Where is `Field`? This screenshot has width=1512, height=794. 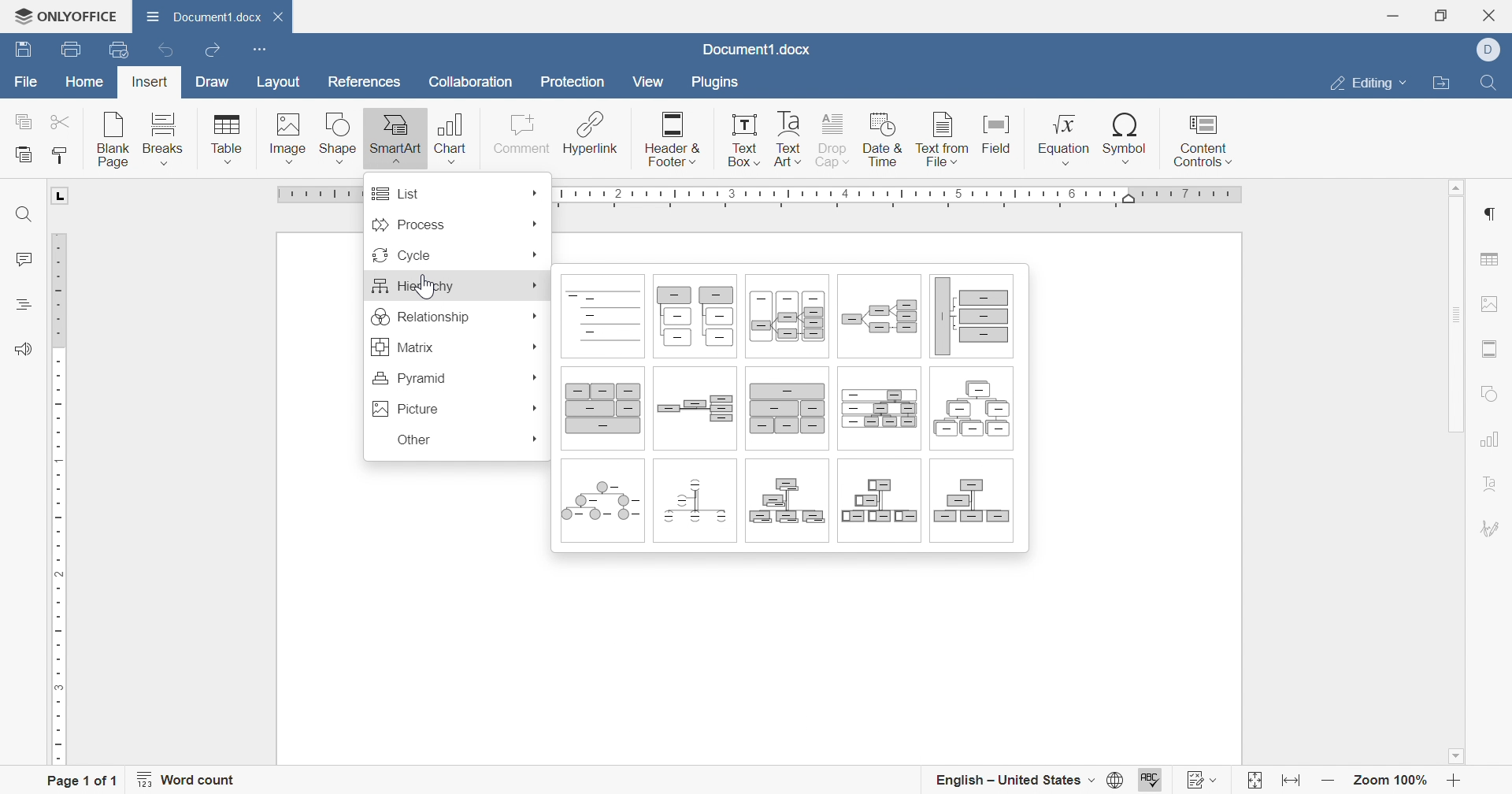
Field is located at coordinates (998, 139).